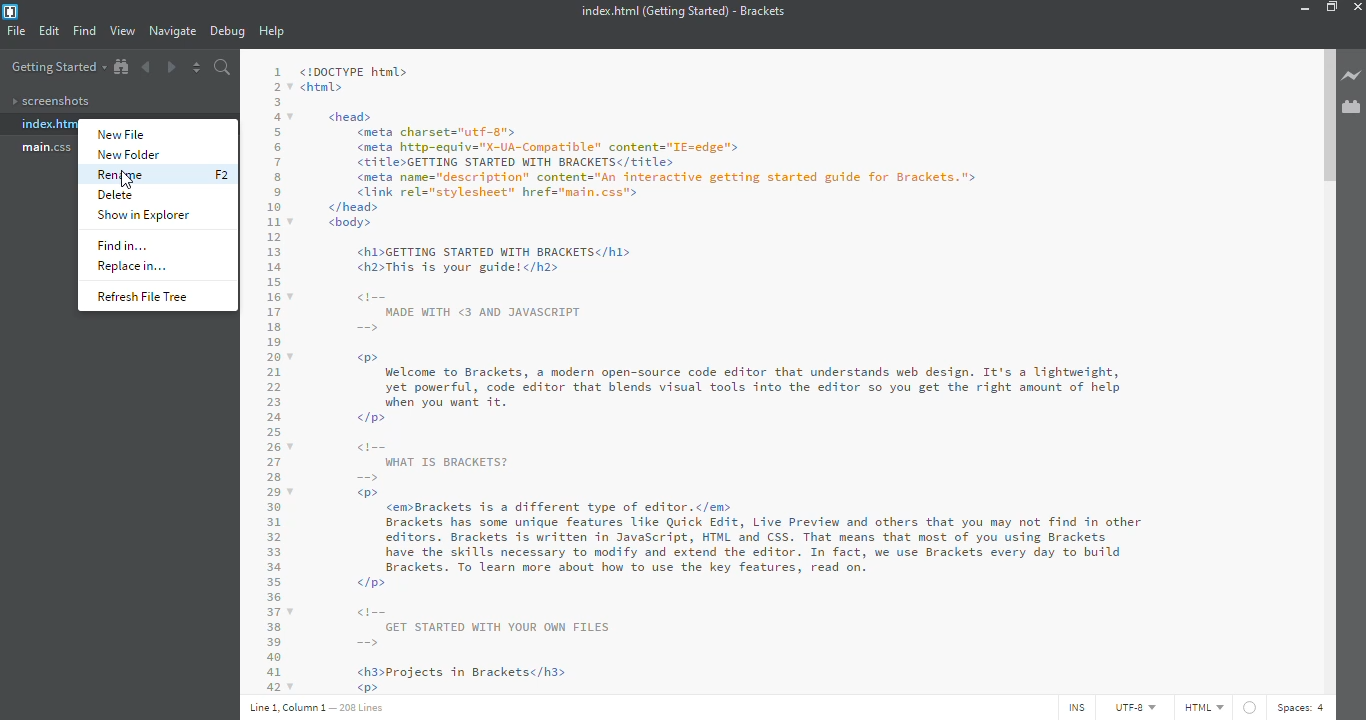  Describe the element at coordinates (1352, 107) in the screenshot. I see `extension manager` at that location.